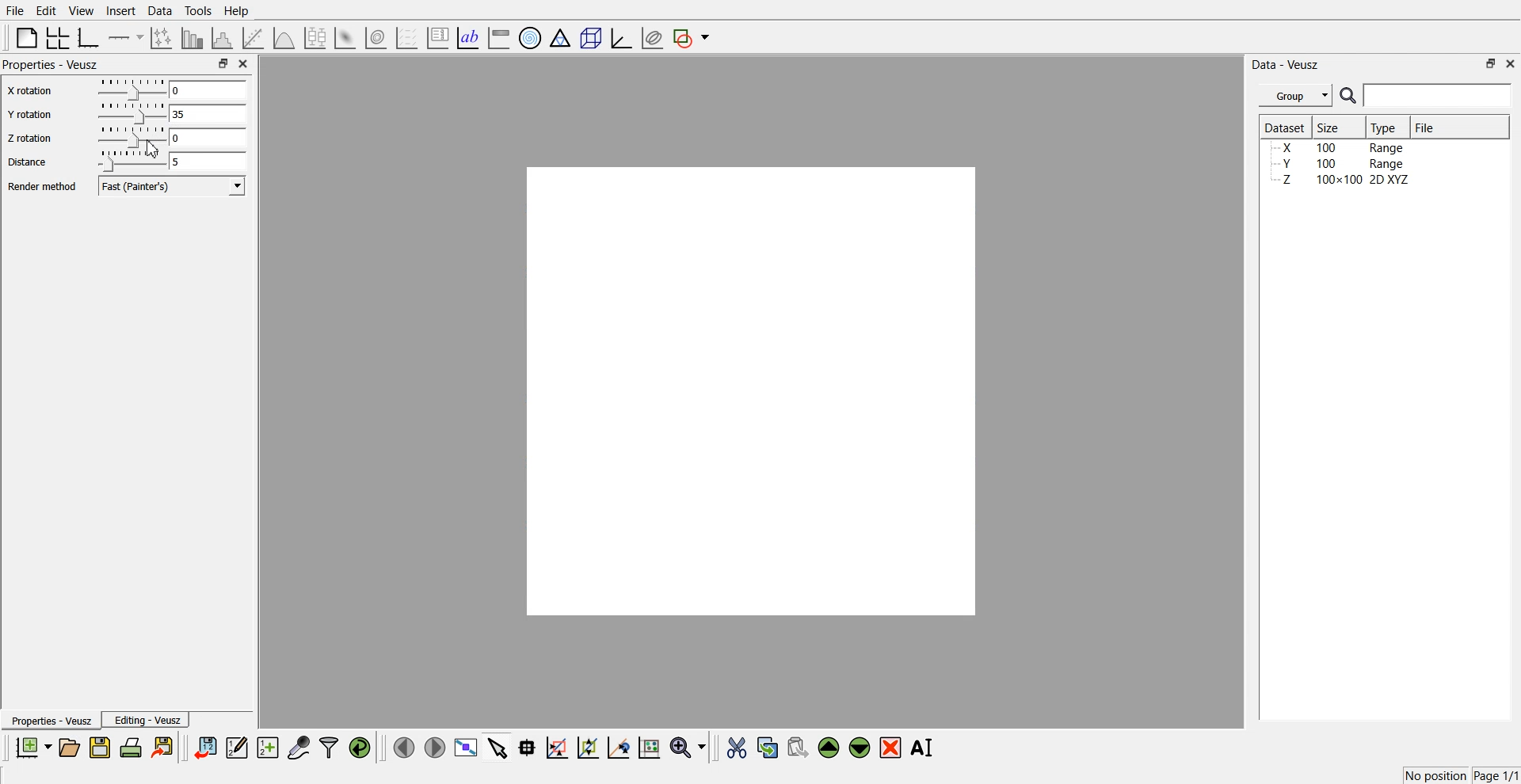  What do you see at coordinates (31, 92) in the screenshot?
I see `X rotation` at bounding box center [31, 92].